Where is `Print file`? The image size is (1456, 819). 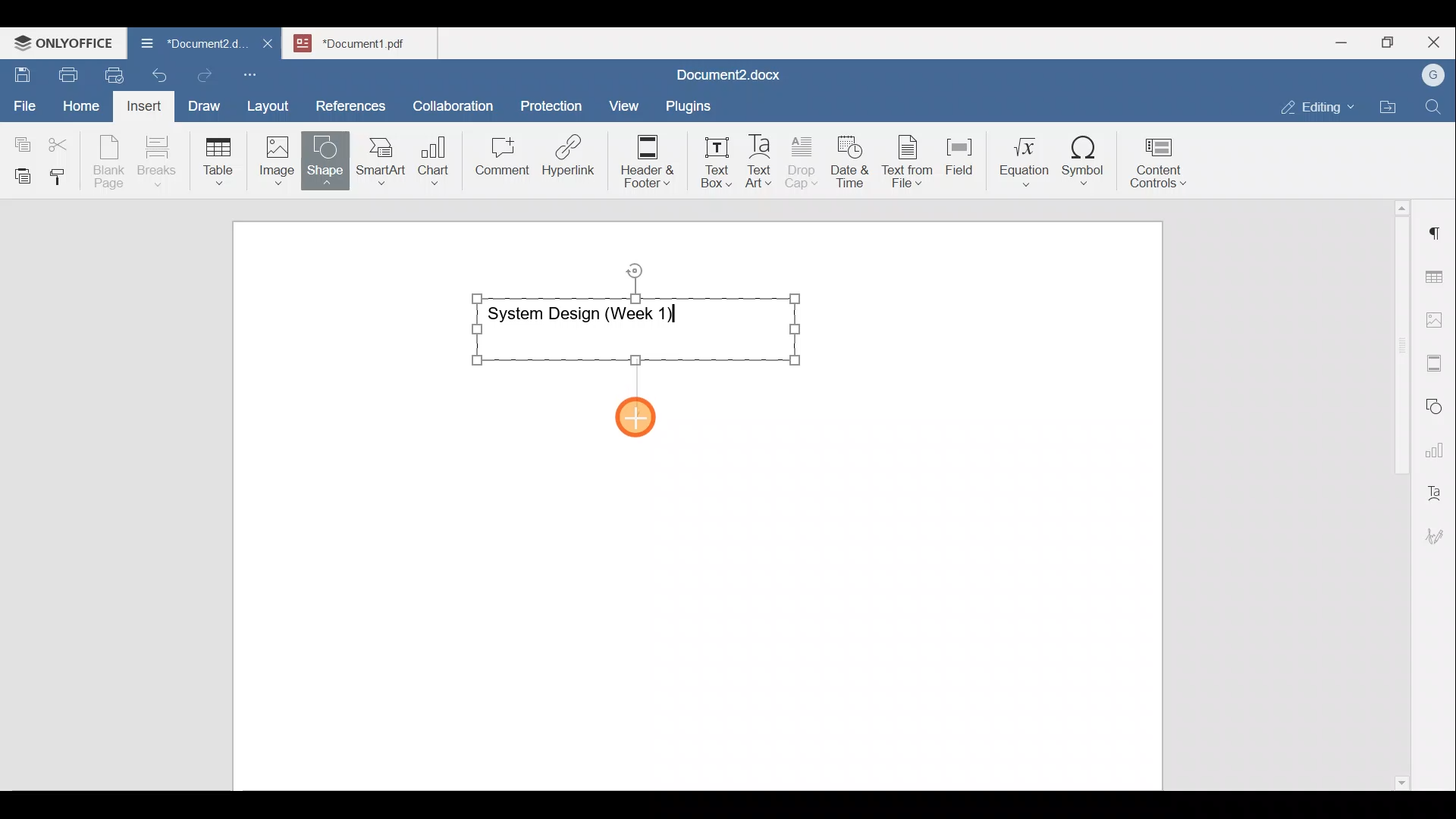 Print file is located at coordinates (65, 72).